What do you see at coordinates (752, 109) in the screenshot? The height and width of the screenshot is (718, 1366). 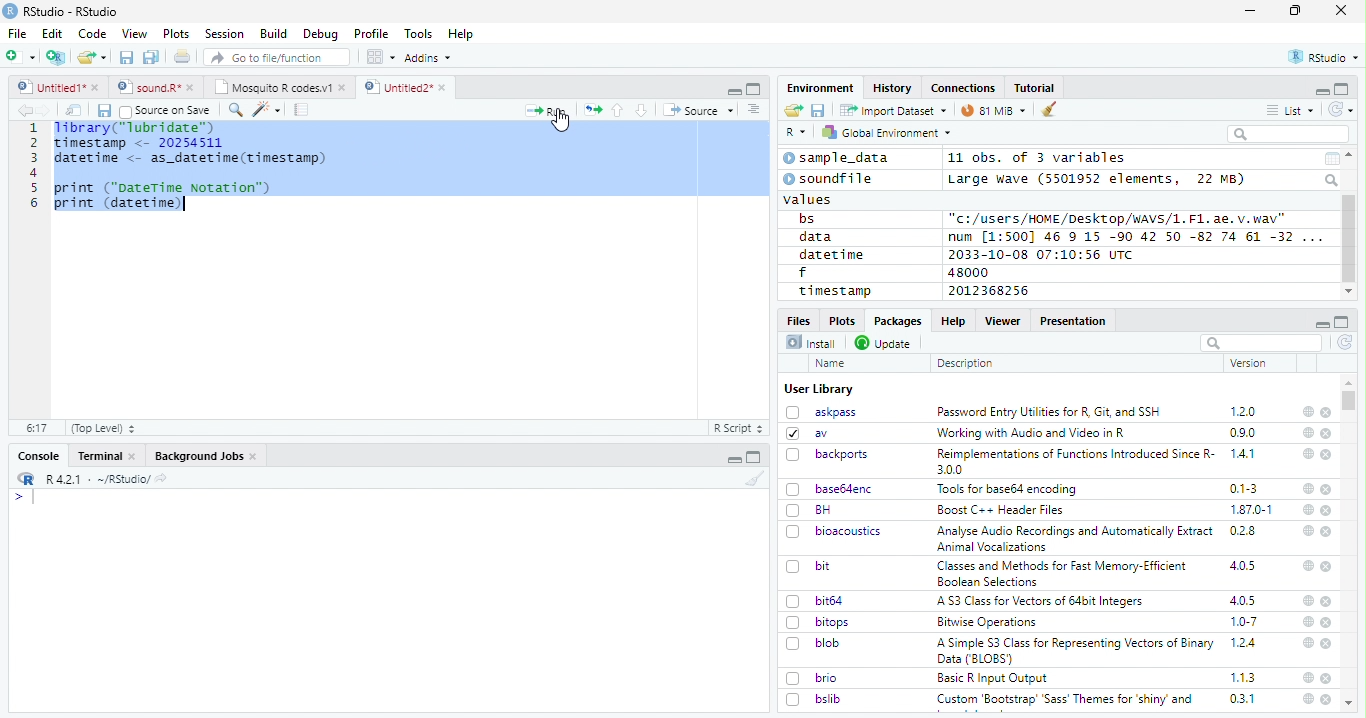 I see `Show document outline` at bounding box center [752, 109].